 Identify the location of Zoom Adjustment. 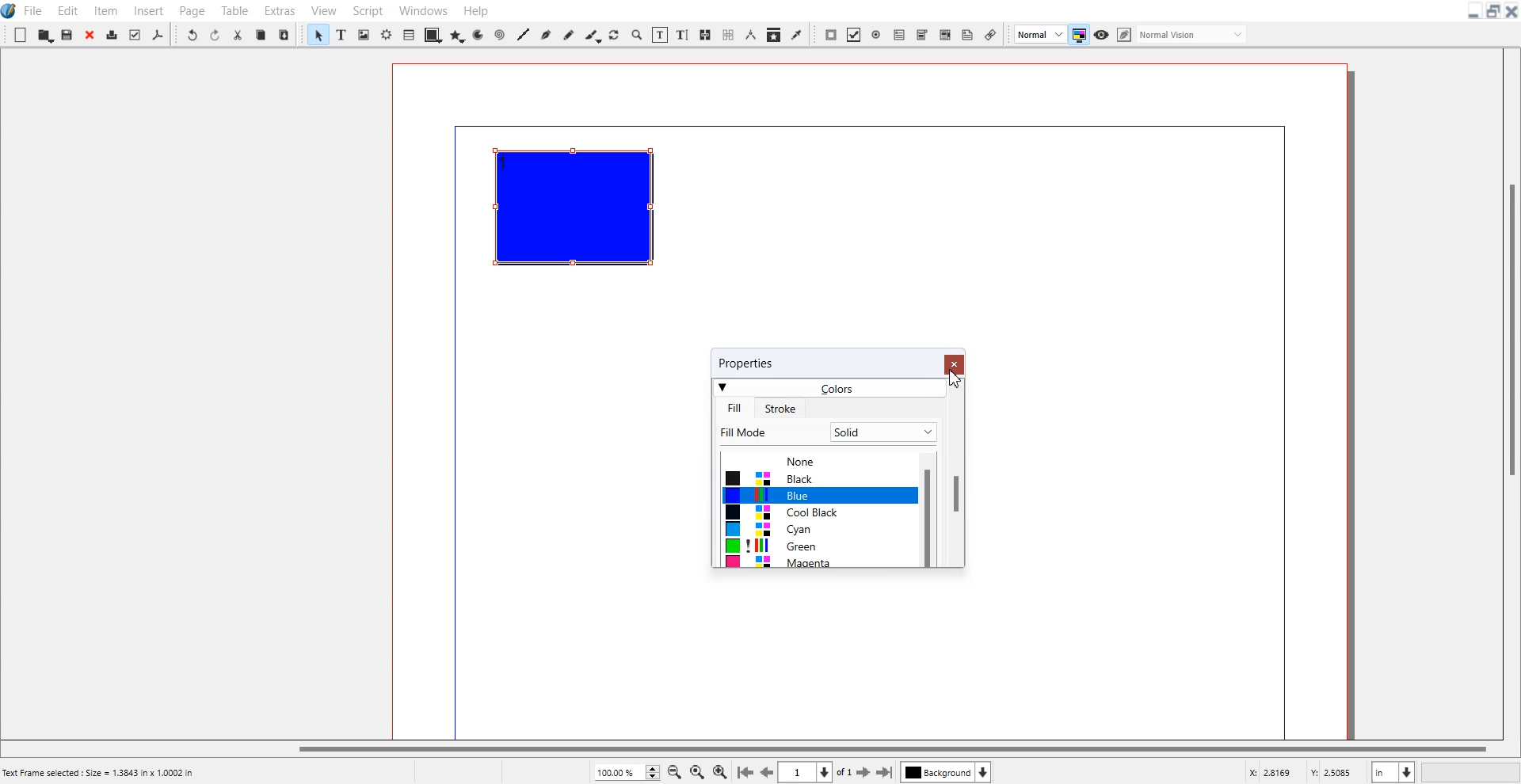
(626, 772).